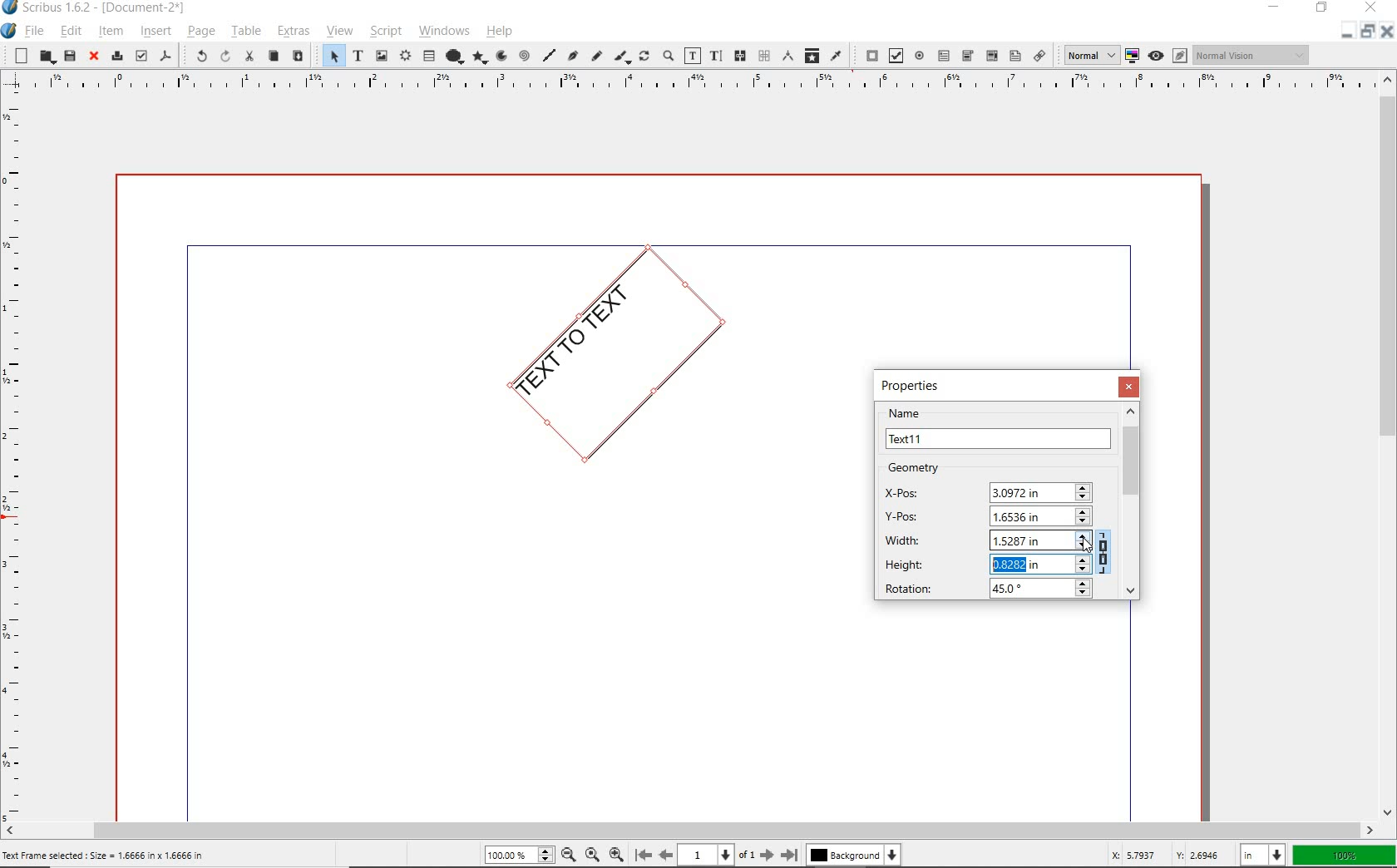 The image size is (1397, 868). What do you see at coordinates (17, 56) in the screenshot?
I see `new` at bounding box center [17, 56].